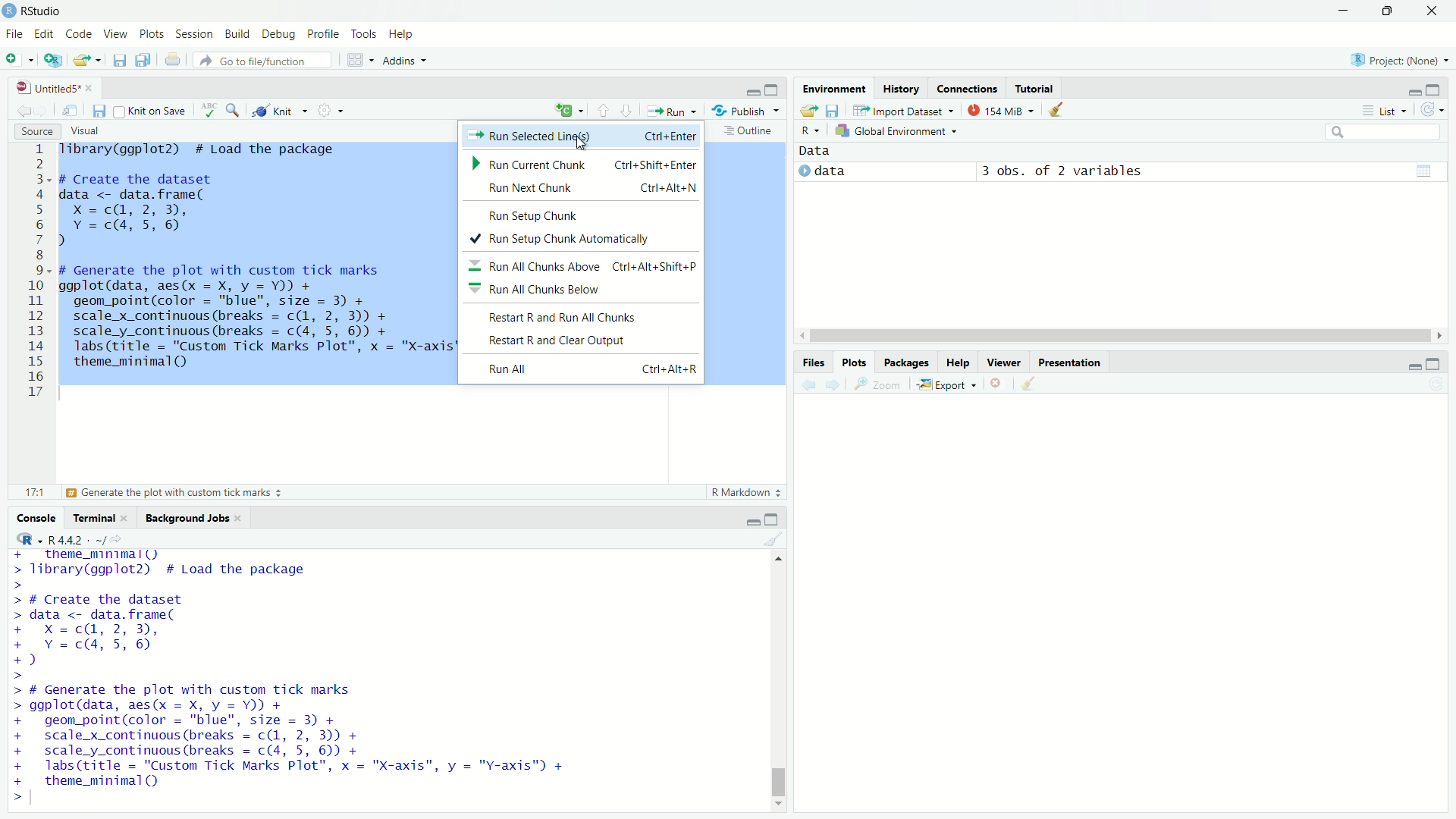  What do you see at coordinates (836, 171) in the screenshot?
I see `data` at bounding box center [836, 171].